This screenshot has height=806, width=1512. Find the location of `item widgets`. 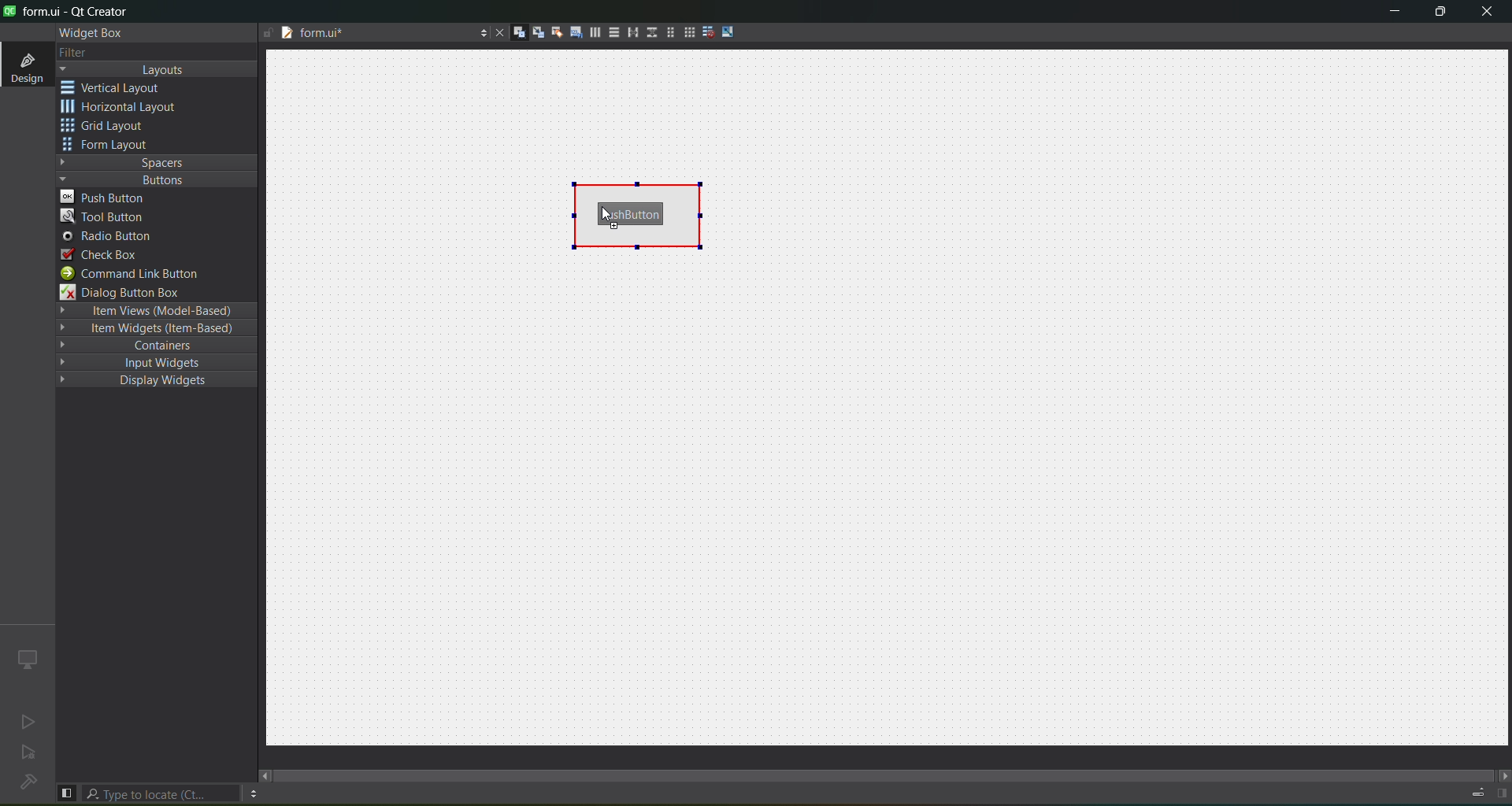

item widgets is located at coordinates (154, 331).